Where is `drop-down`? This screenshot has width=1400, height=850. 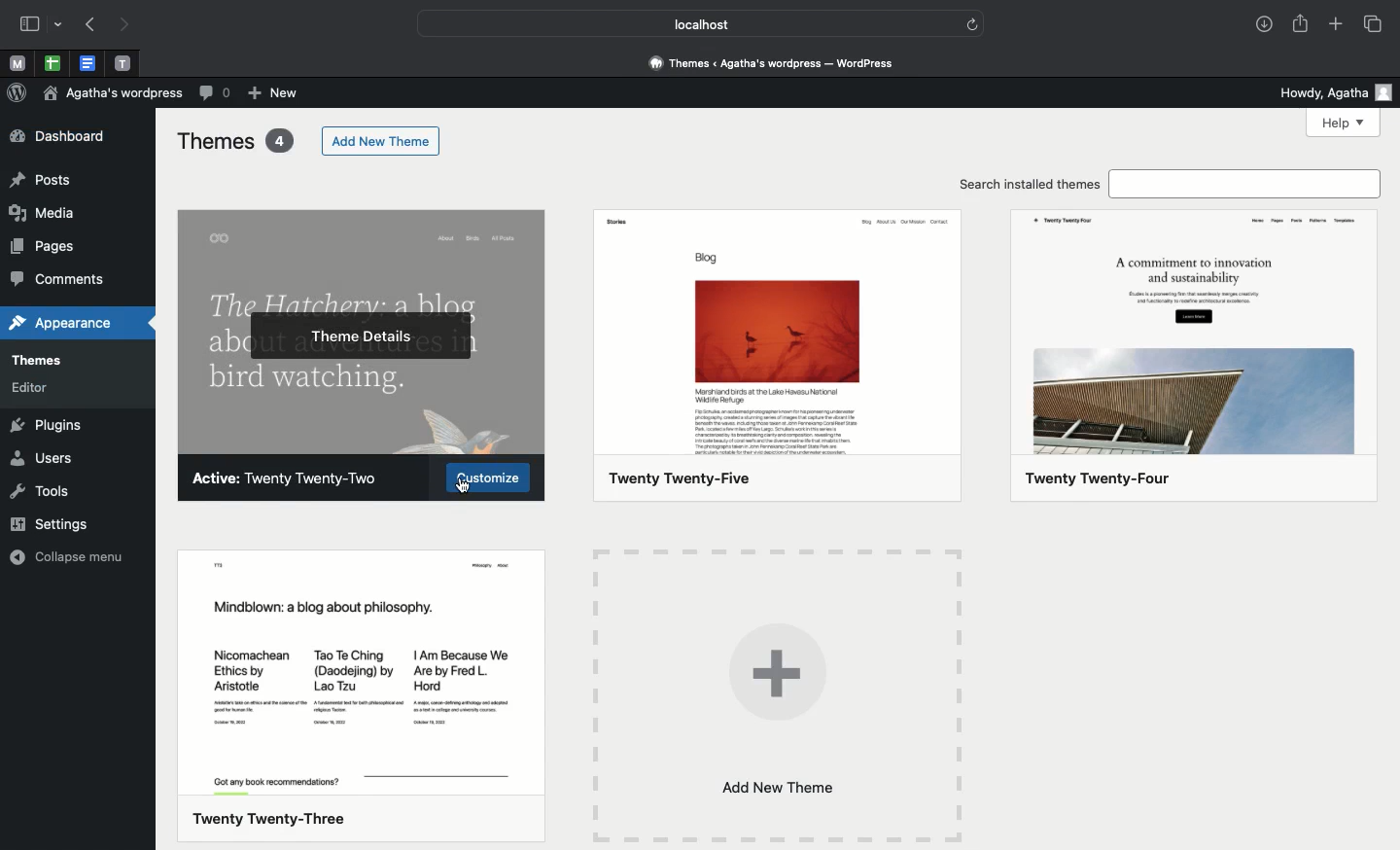 drop-down is located at coordinates (61, 25).